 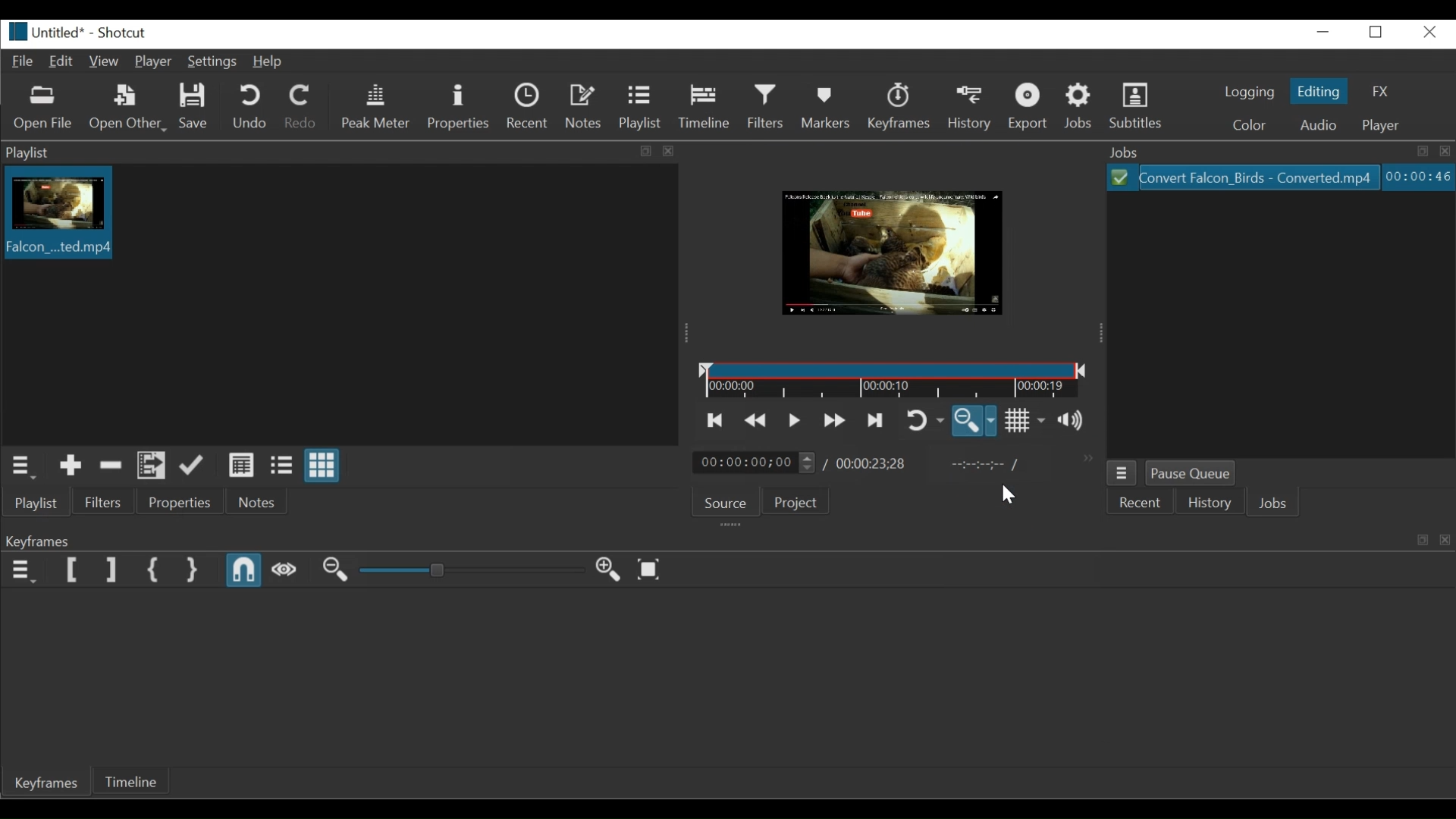 I want to click on Set Second Simple Keyframe, so click(x=193, y=571).